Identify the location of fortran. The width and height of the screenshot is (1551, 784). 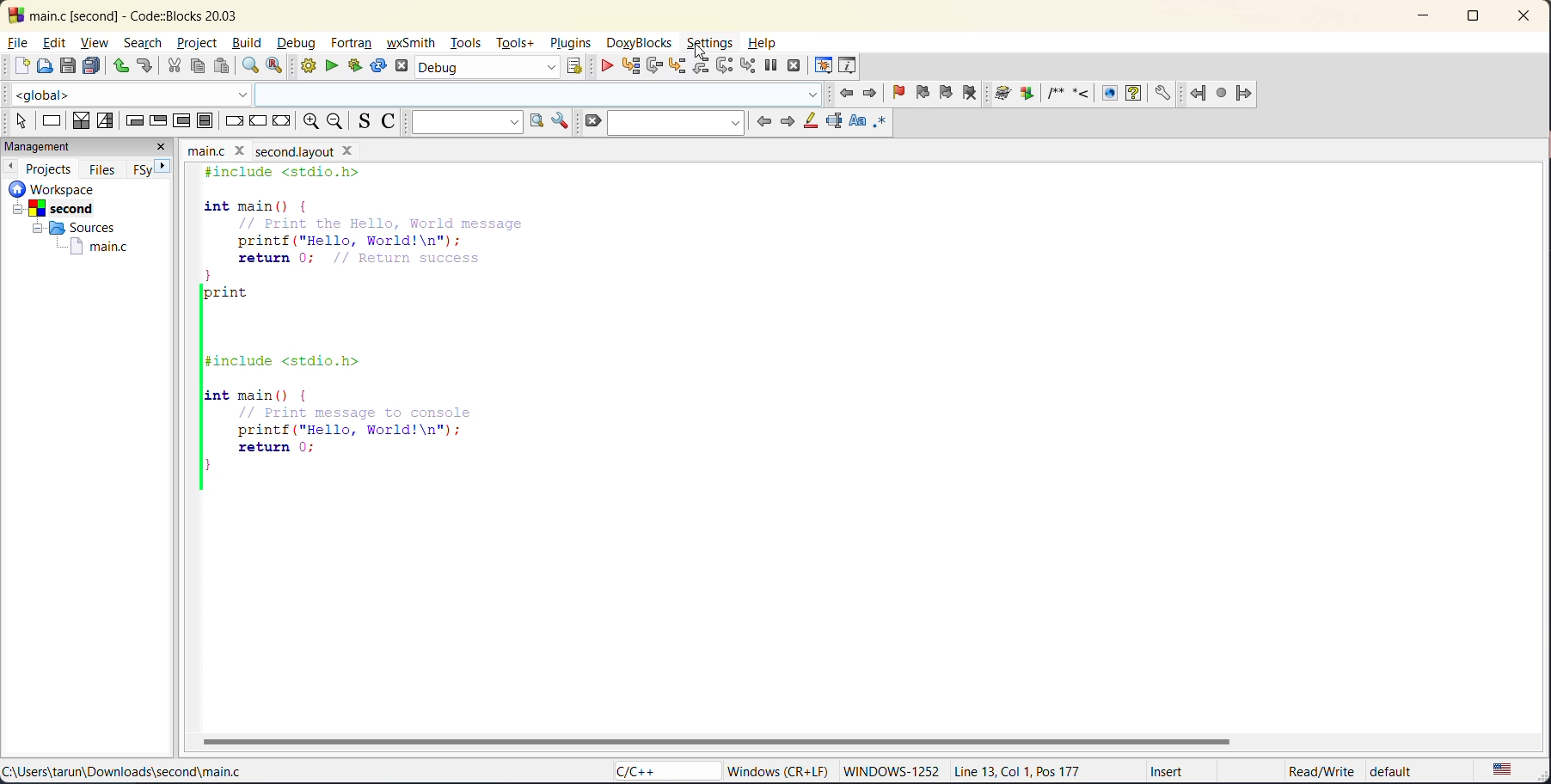
(354, 45).